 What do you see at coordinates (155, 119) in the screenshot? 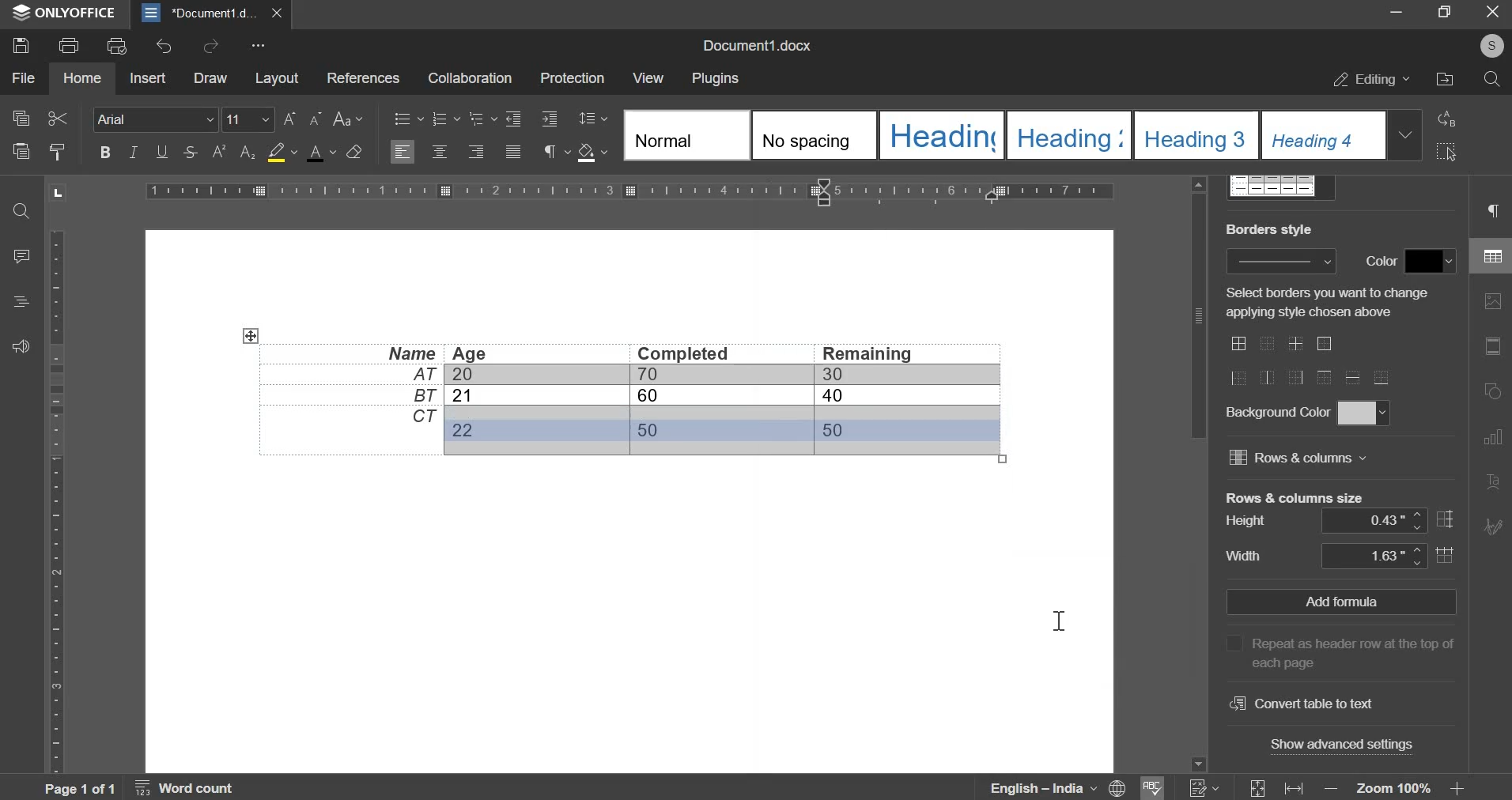
I see `font` at bounding box center [155, 119].